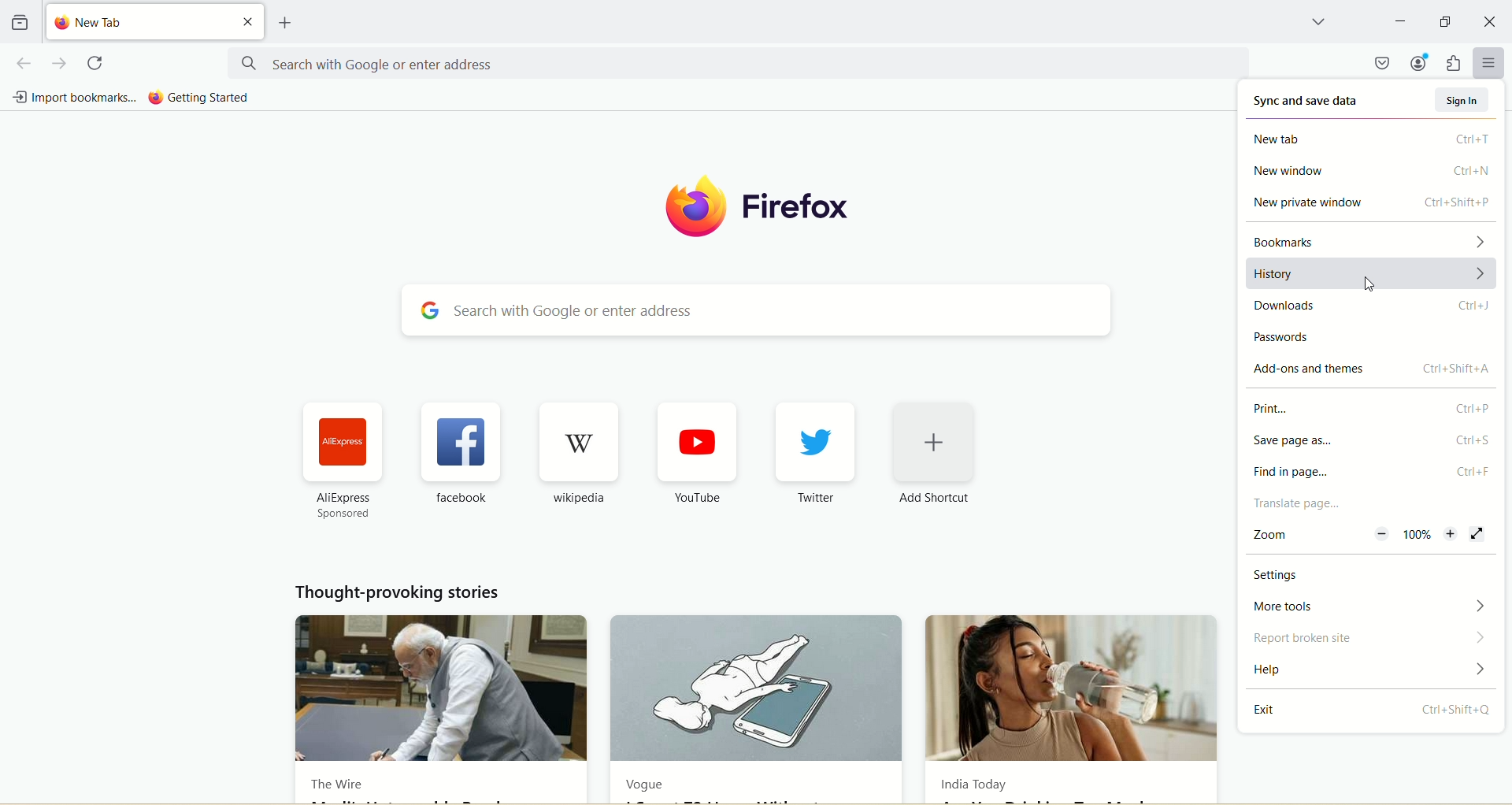 The width and height of the screenshot is (1512, 805). What do you see at coordinates (1372, 472) in the screenshot?
I see `find in paage` at bounding box center [1372, 472].